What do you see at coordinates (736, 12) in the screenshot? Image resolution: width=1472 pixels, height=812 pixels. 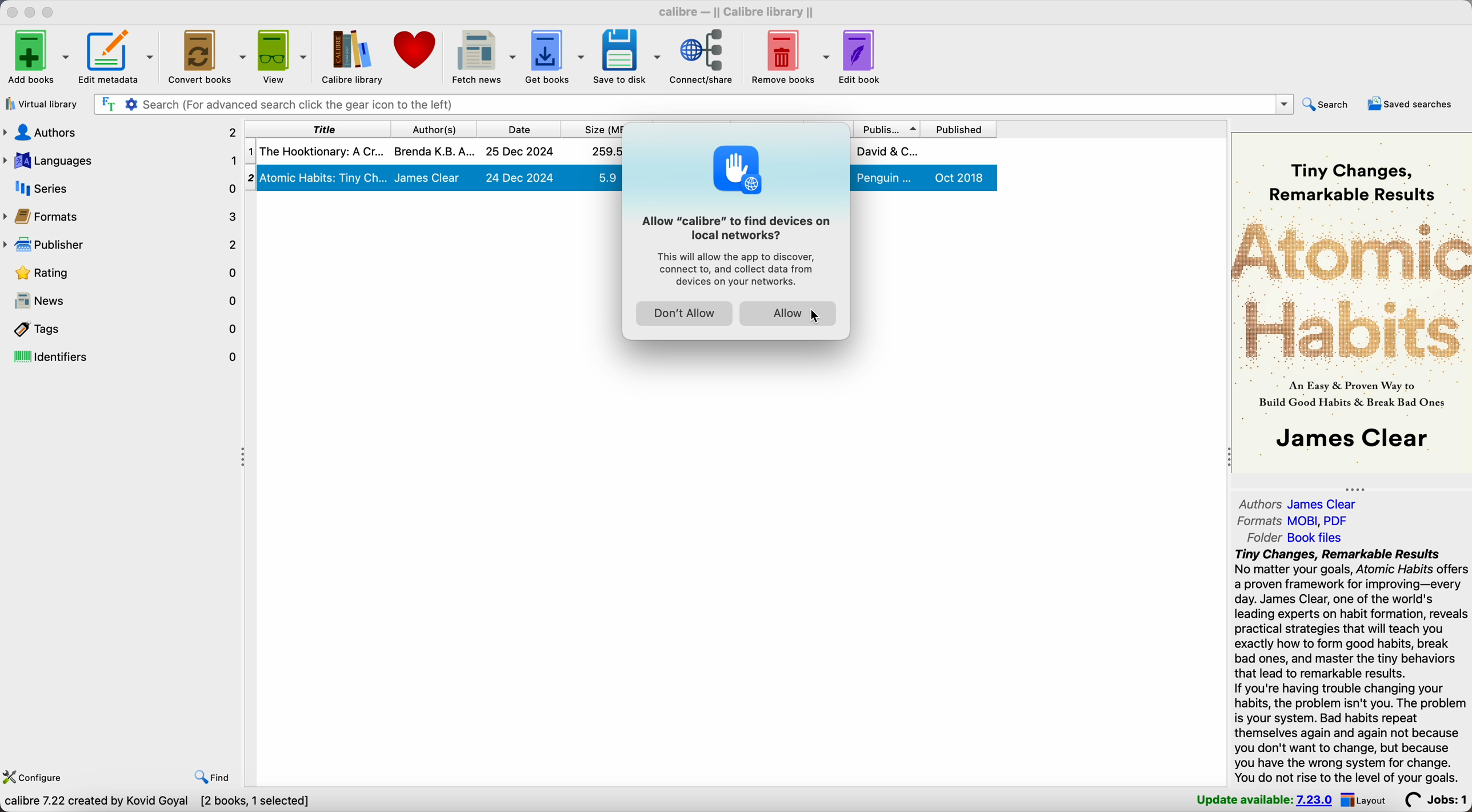 I see `Calibre - || Calibre library ||` at bounding box center [736, 12].